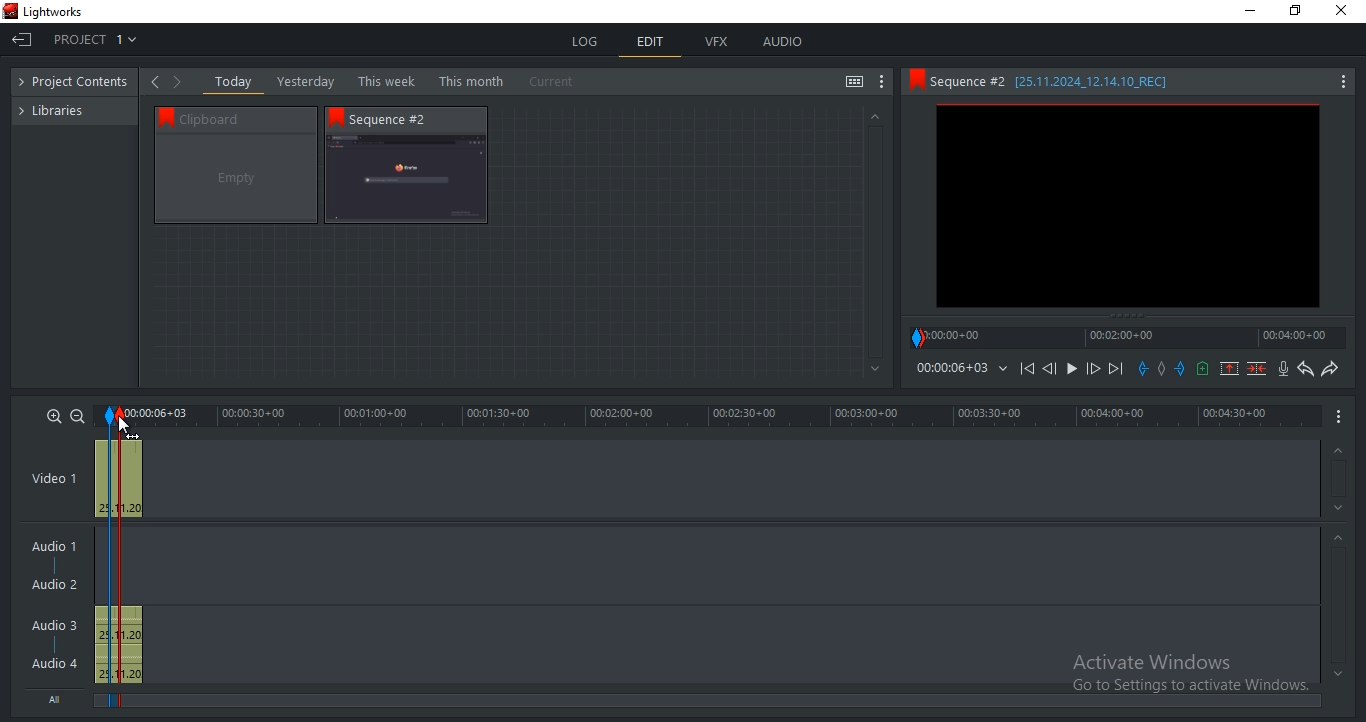  I want to click on record audio, so click(1285, 369).